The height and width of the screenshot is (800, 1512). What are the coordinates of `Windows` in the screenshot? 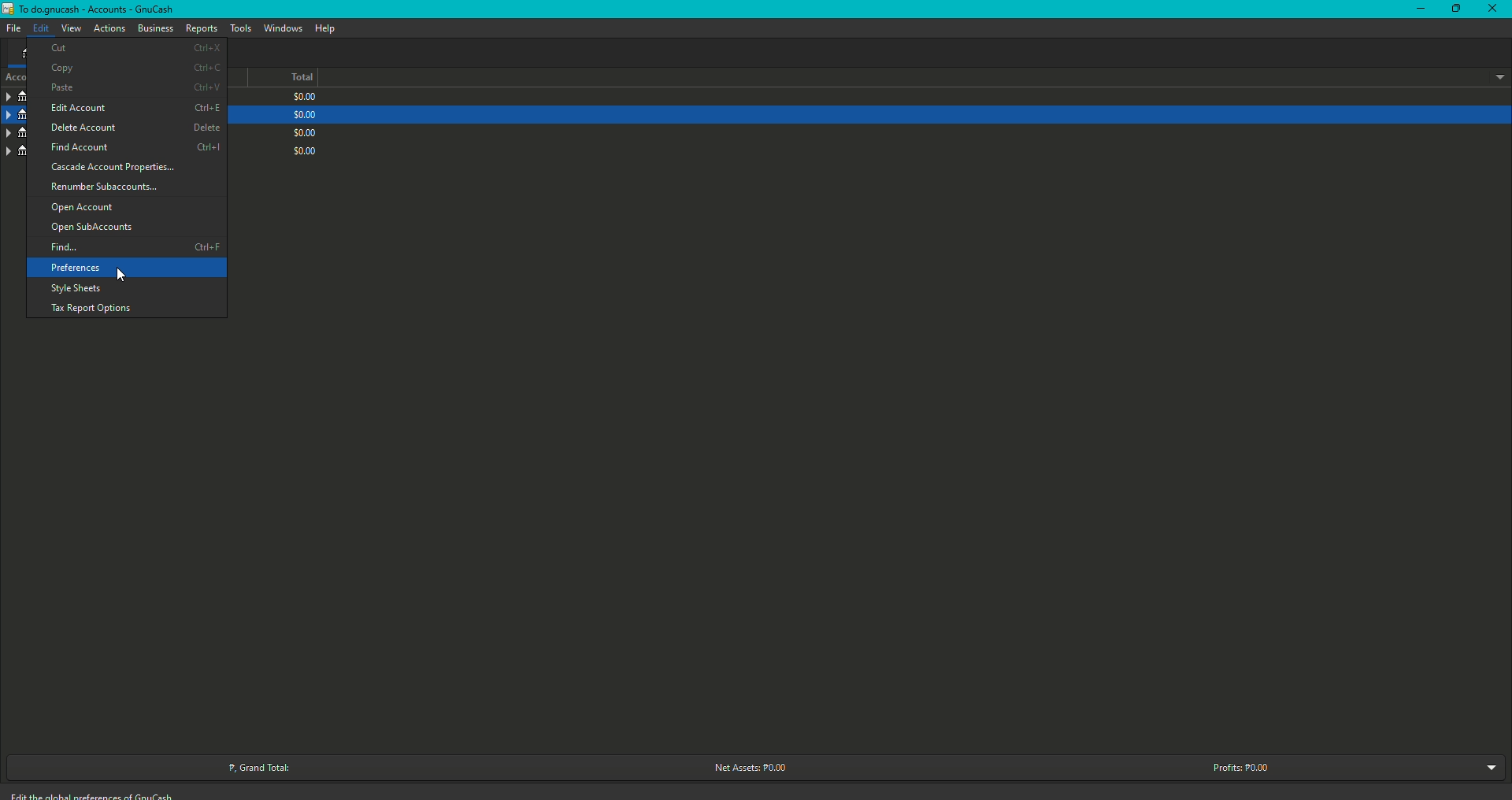 It's located at (283, 28).